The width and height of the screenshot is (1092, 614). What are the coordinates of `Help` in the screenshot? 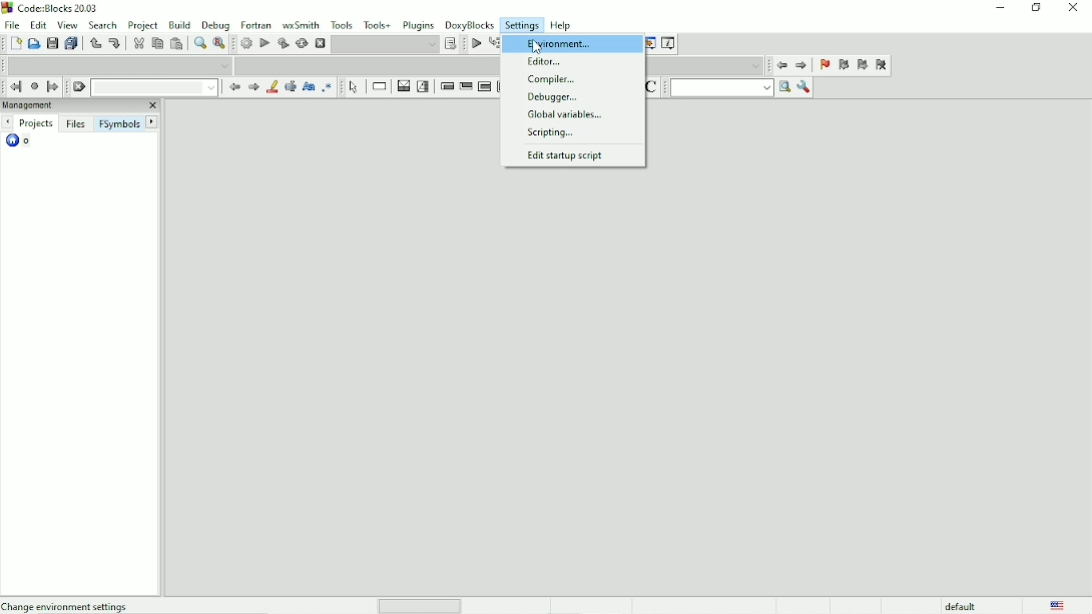 It's located at (560, 25).